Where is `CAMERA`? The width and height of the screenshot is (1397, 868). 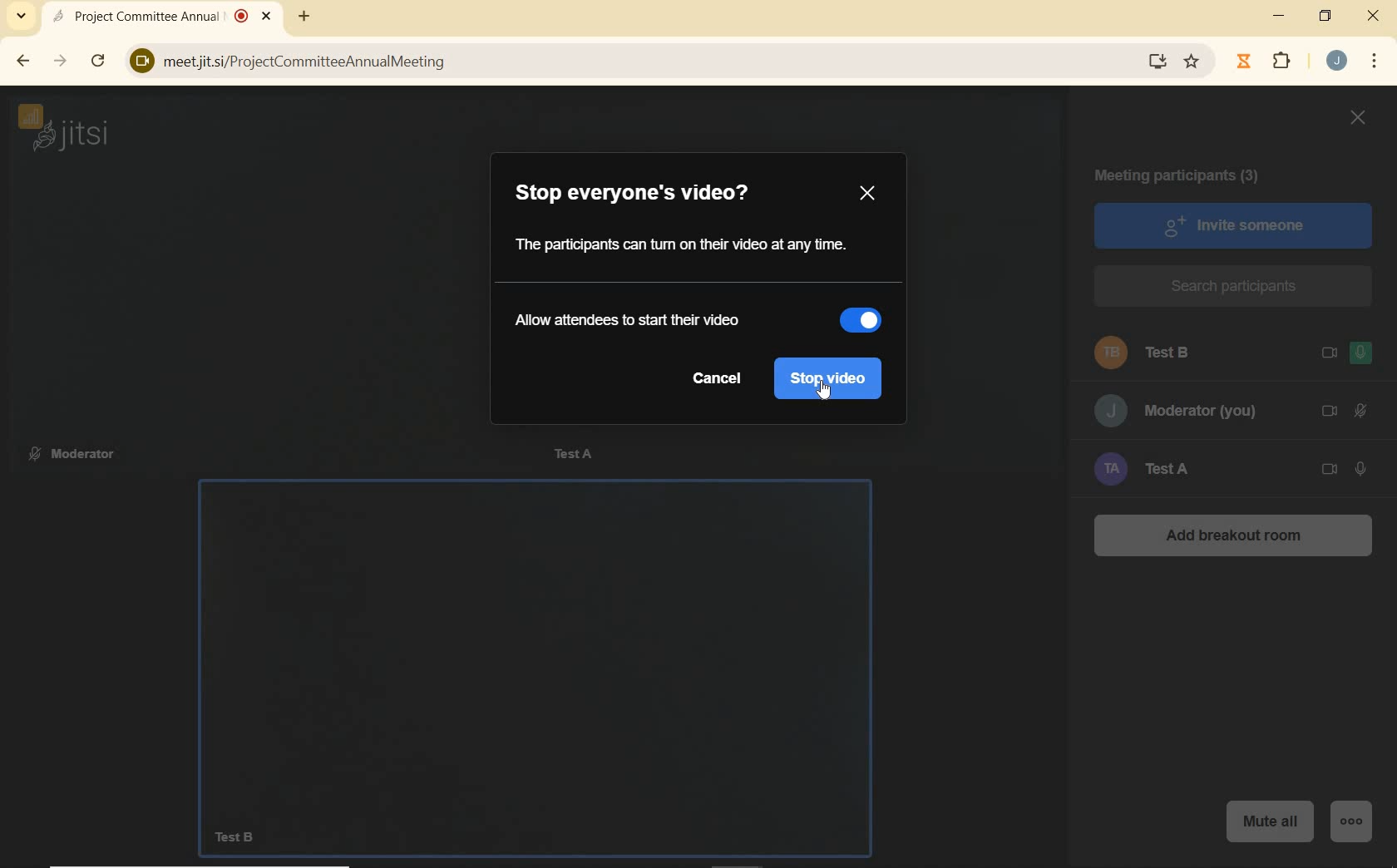 CAMERA is located at coordinates (1330, 412).